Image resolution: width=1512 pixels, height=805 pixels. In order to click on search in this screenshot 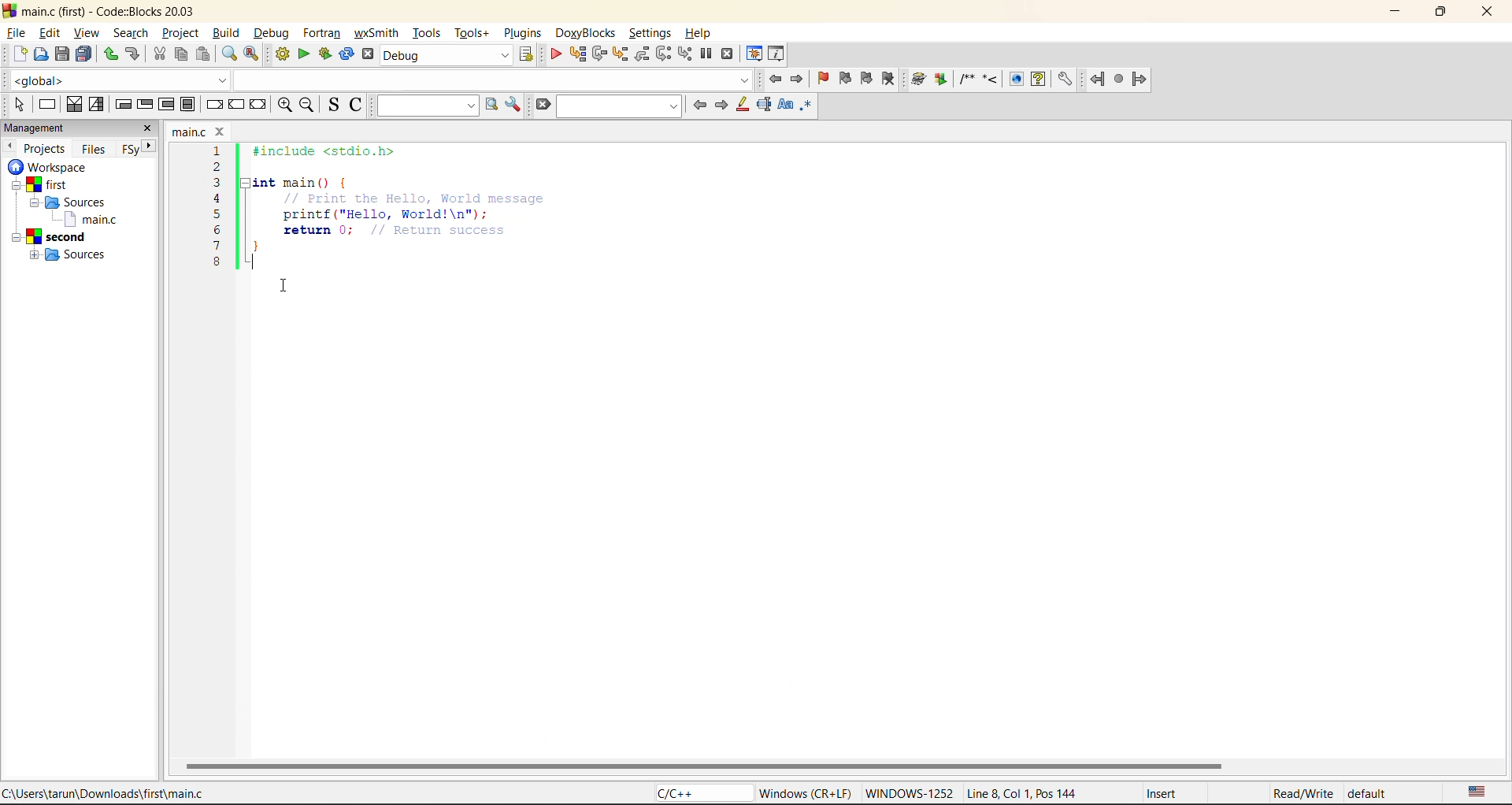, I will do `click(132, 32)`.